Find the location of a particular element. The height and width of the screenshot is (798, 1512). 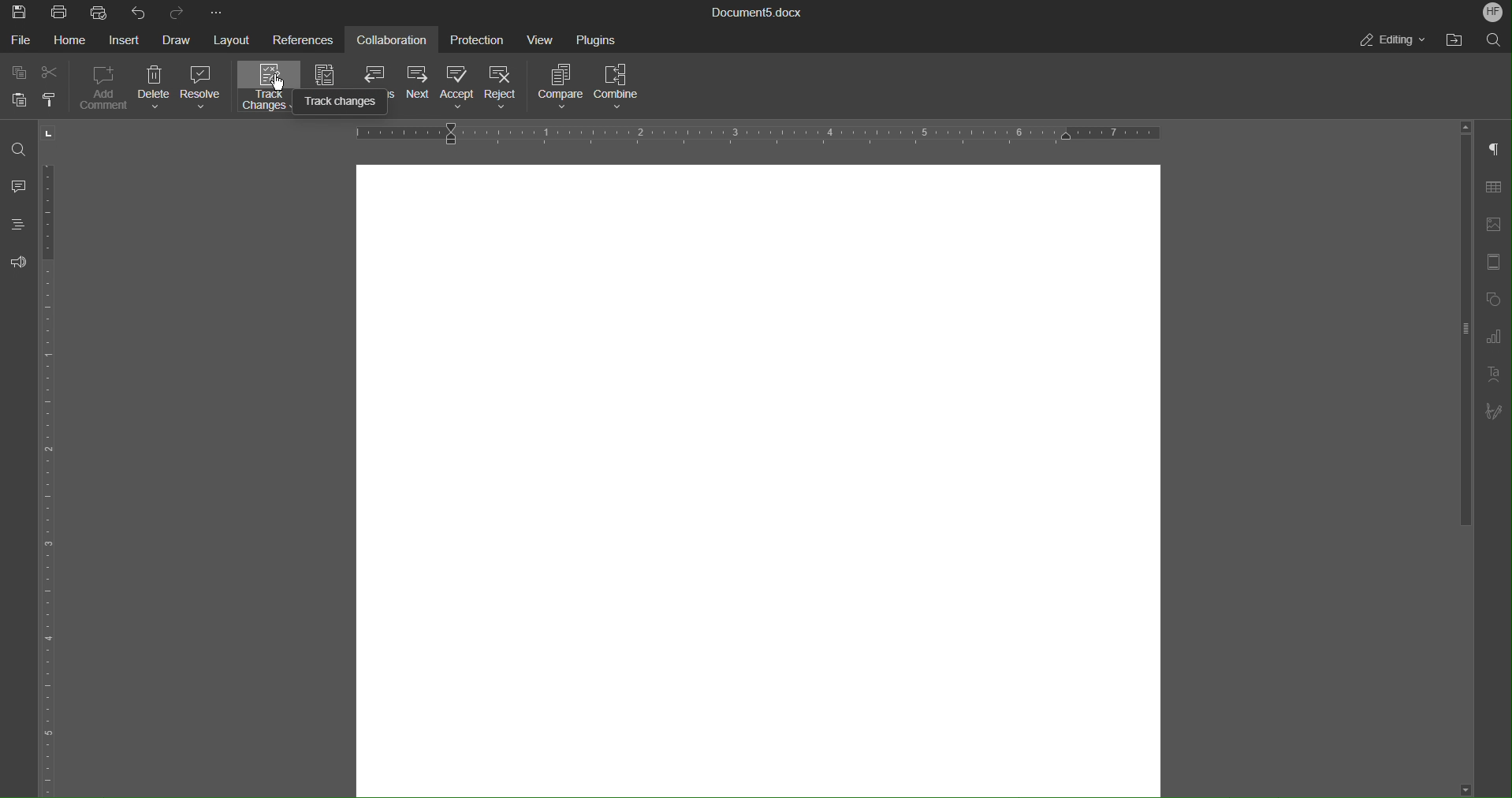

Image Settings is located at coordinates (1490, 228).